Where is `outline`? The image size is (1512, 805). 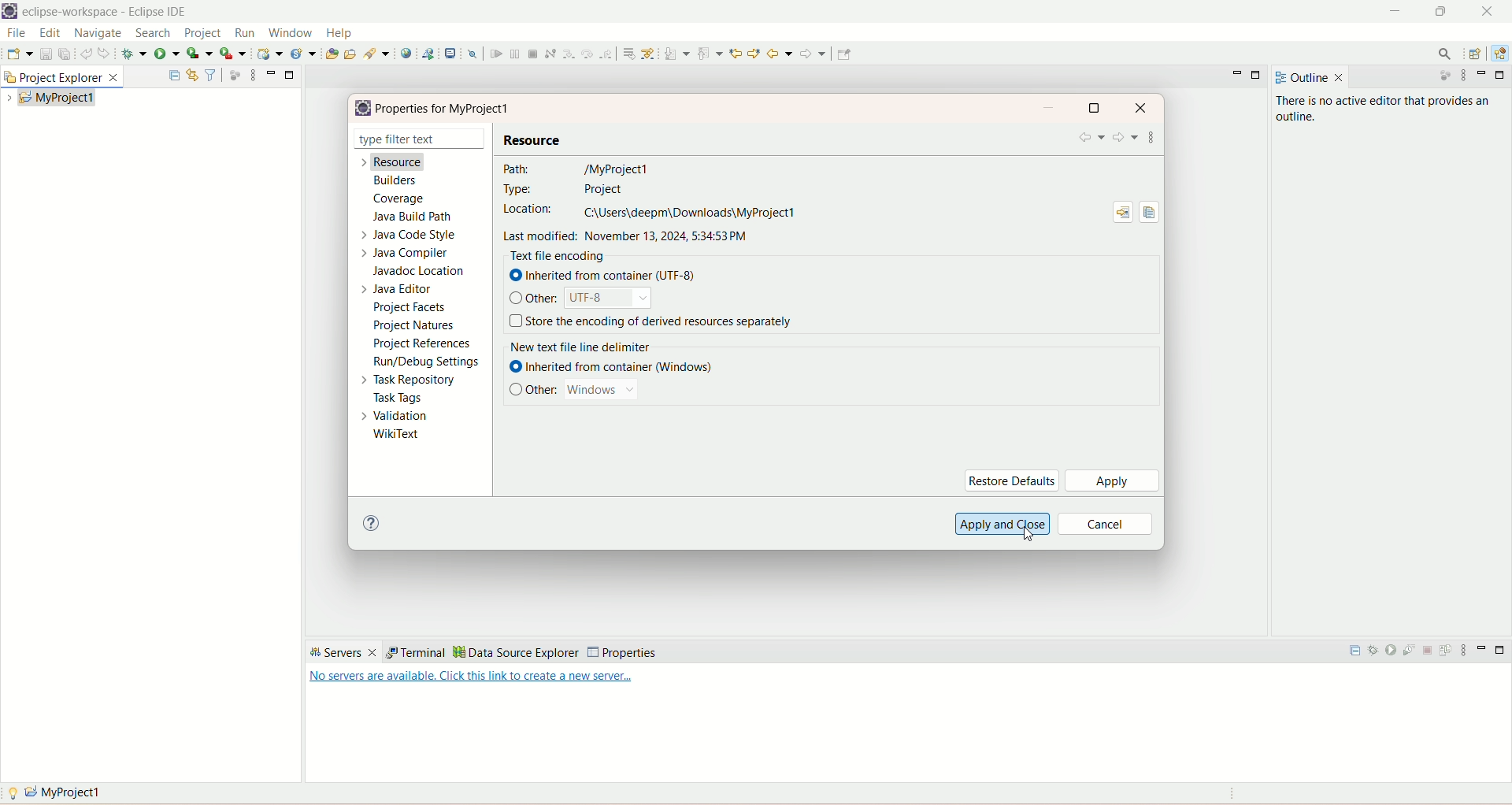
outline is located at coordinates (1312, 77).